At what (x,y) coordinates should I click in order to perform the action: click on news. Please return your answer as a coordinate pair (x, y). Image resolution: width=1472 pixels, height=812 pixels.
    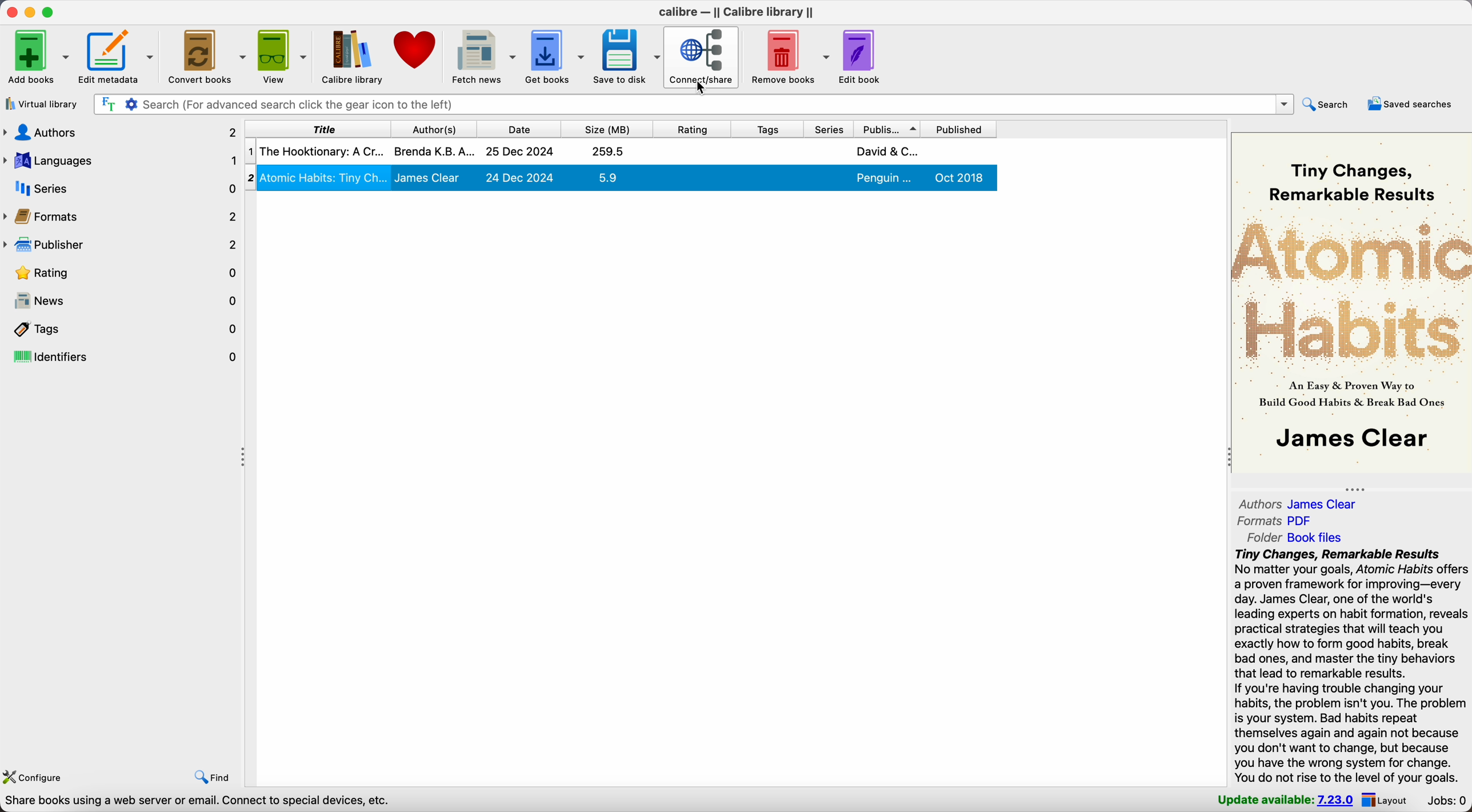
    Looking at the image, I should click on (122, 301).